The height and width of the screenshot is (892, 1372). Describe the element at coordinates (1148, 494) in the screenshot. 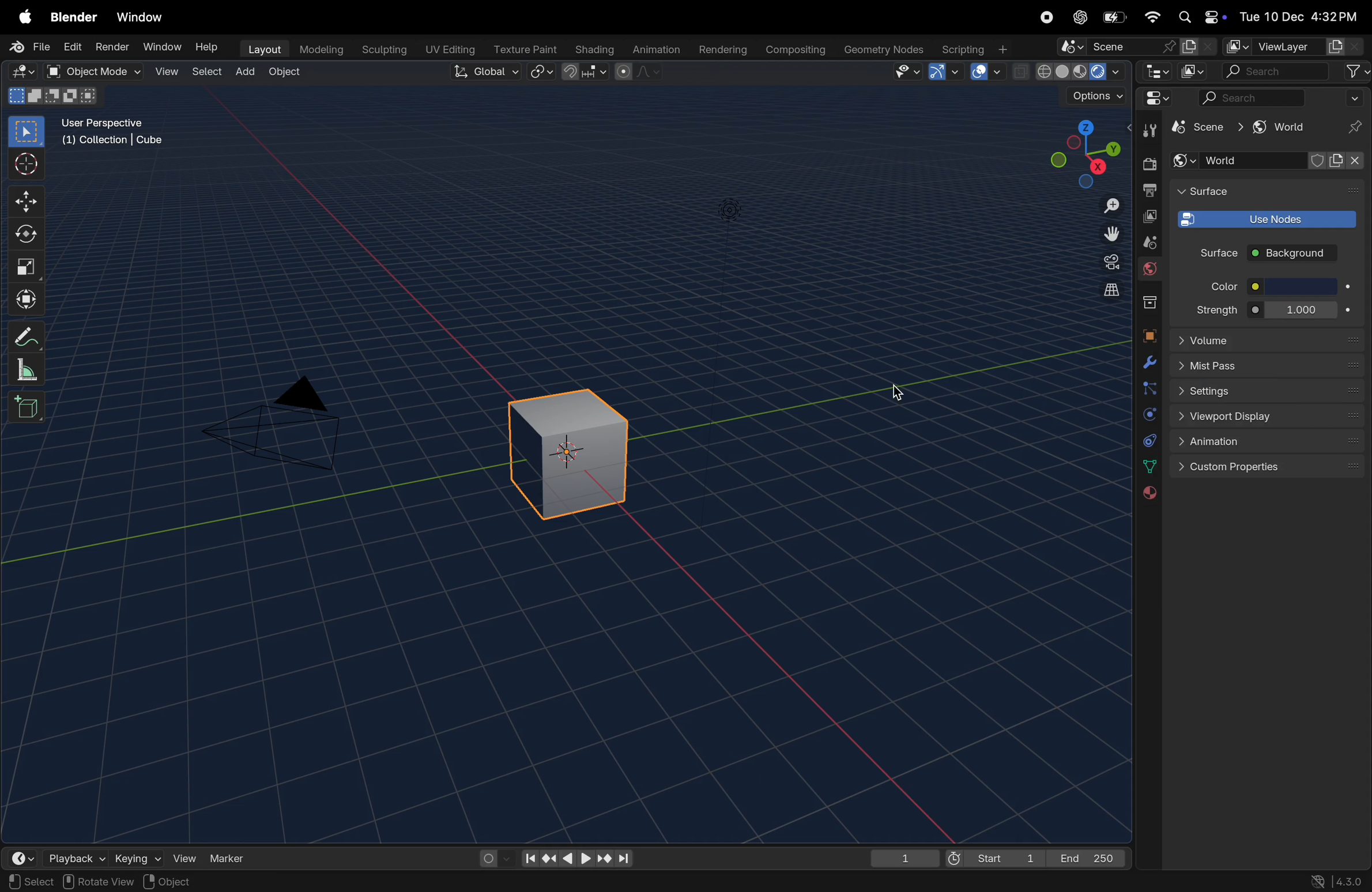

I see `material` at that location.